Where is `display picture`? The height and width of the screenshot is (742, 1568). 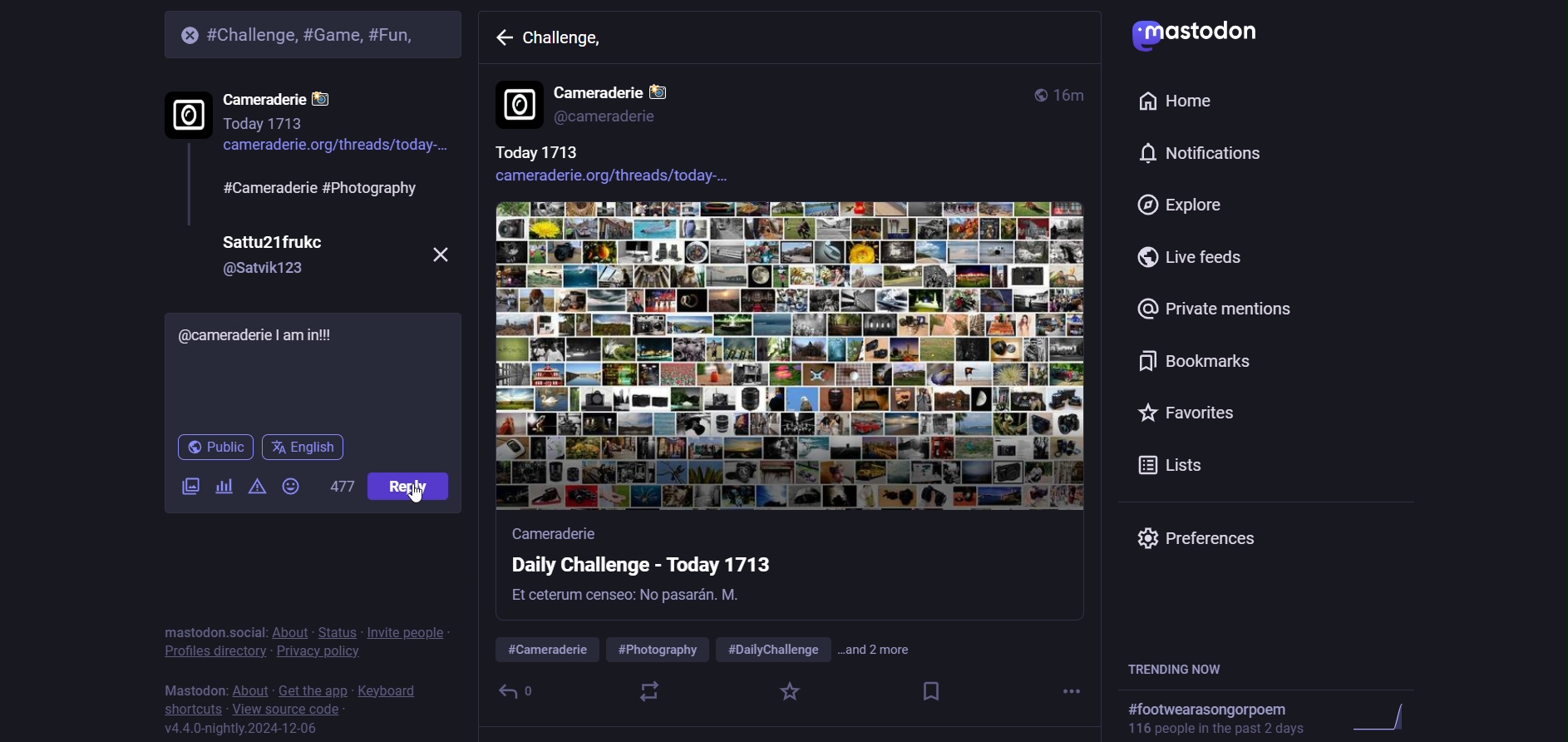
display picture is located at coordinates (520, 101).